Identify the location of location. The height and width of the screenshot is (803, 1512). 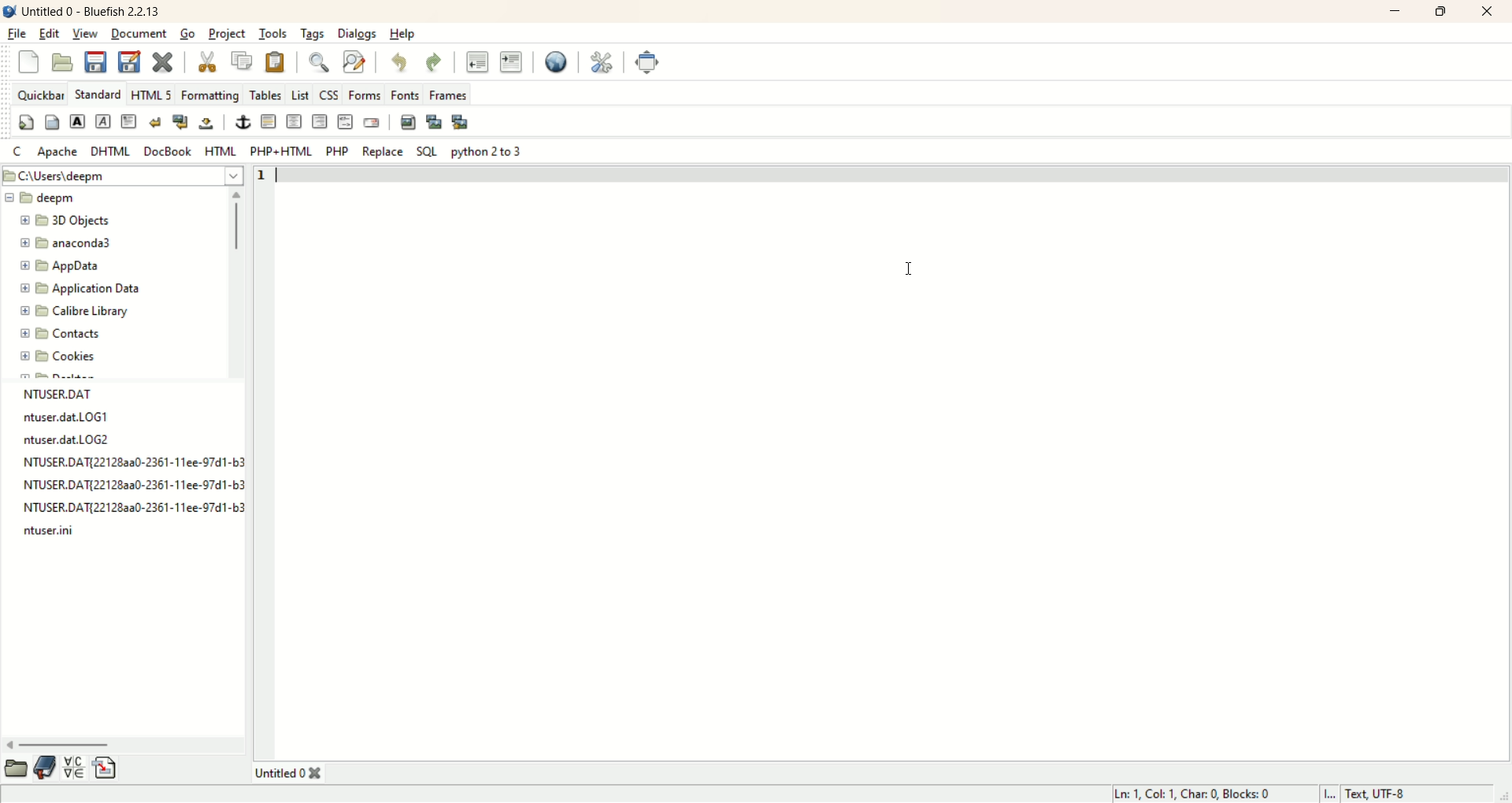
(122, 176).